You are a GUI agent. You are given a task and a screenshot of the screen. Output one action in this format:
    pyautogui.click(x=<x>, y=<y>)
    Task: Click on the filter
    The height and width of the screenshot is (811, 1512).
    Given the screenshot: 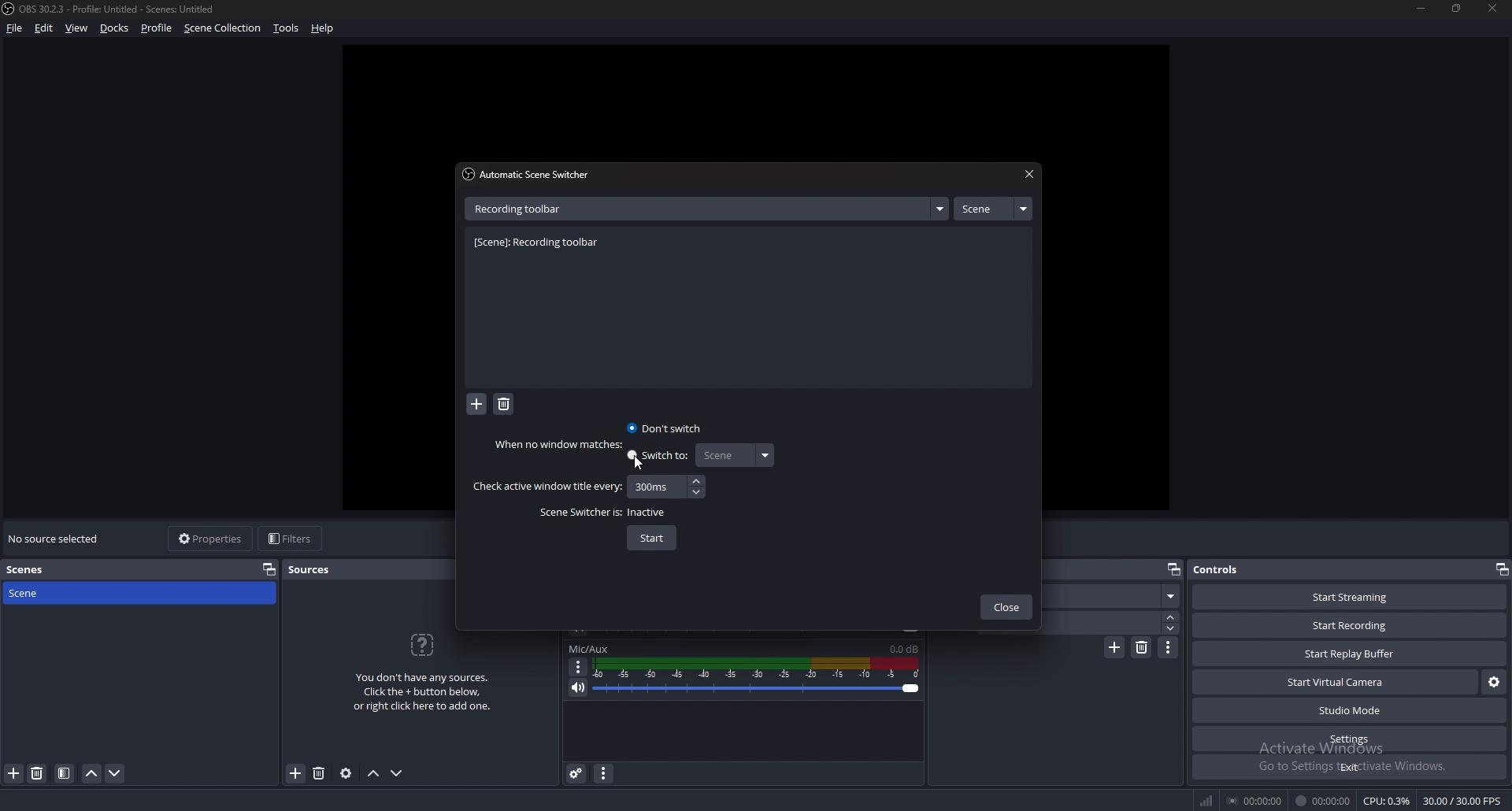 What is the action you would take?
    pyautogui.click(x=65, y=773)
    